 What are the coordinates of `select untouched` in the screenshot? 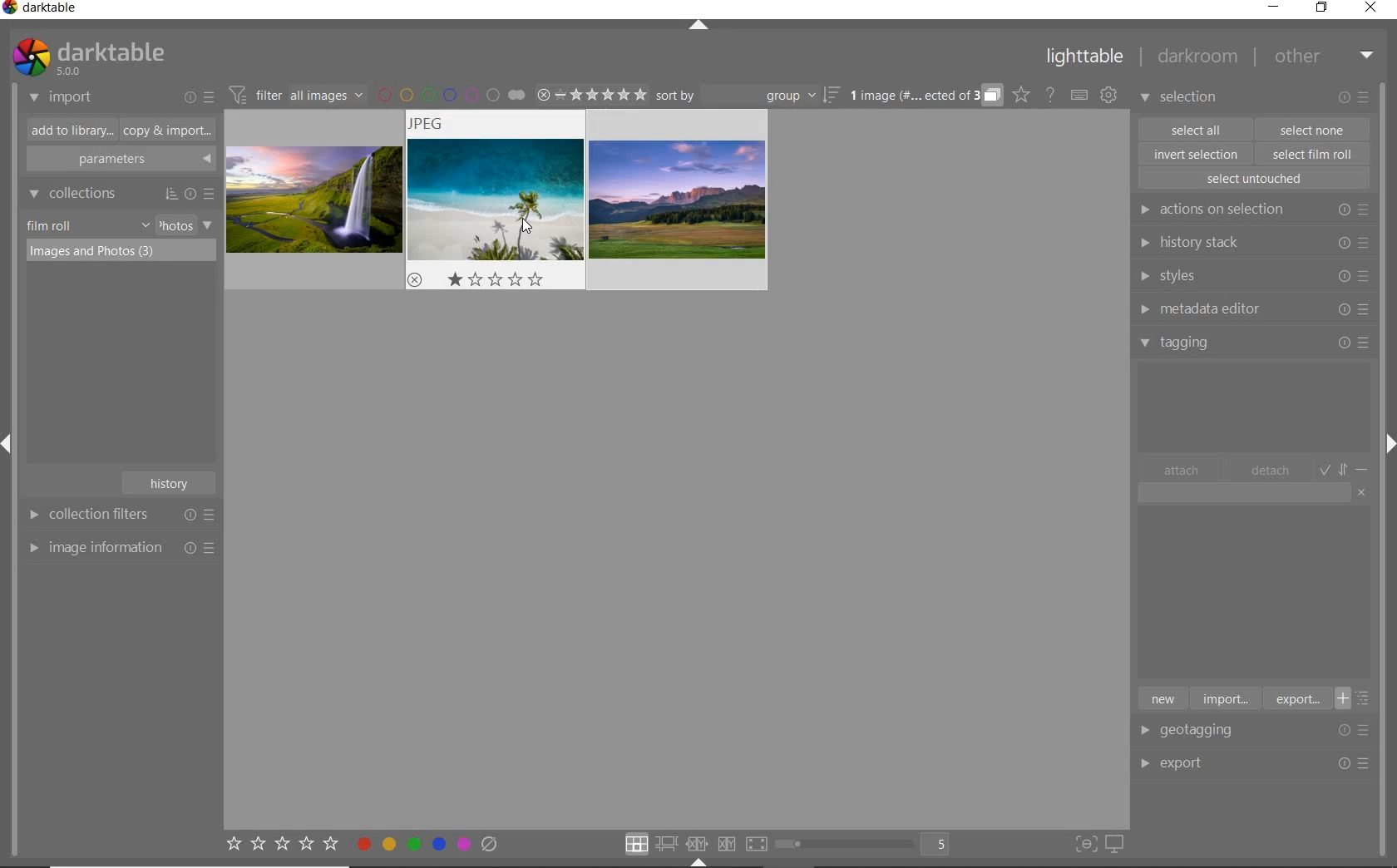 It's located at (1253, 179).